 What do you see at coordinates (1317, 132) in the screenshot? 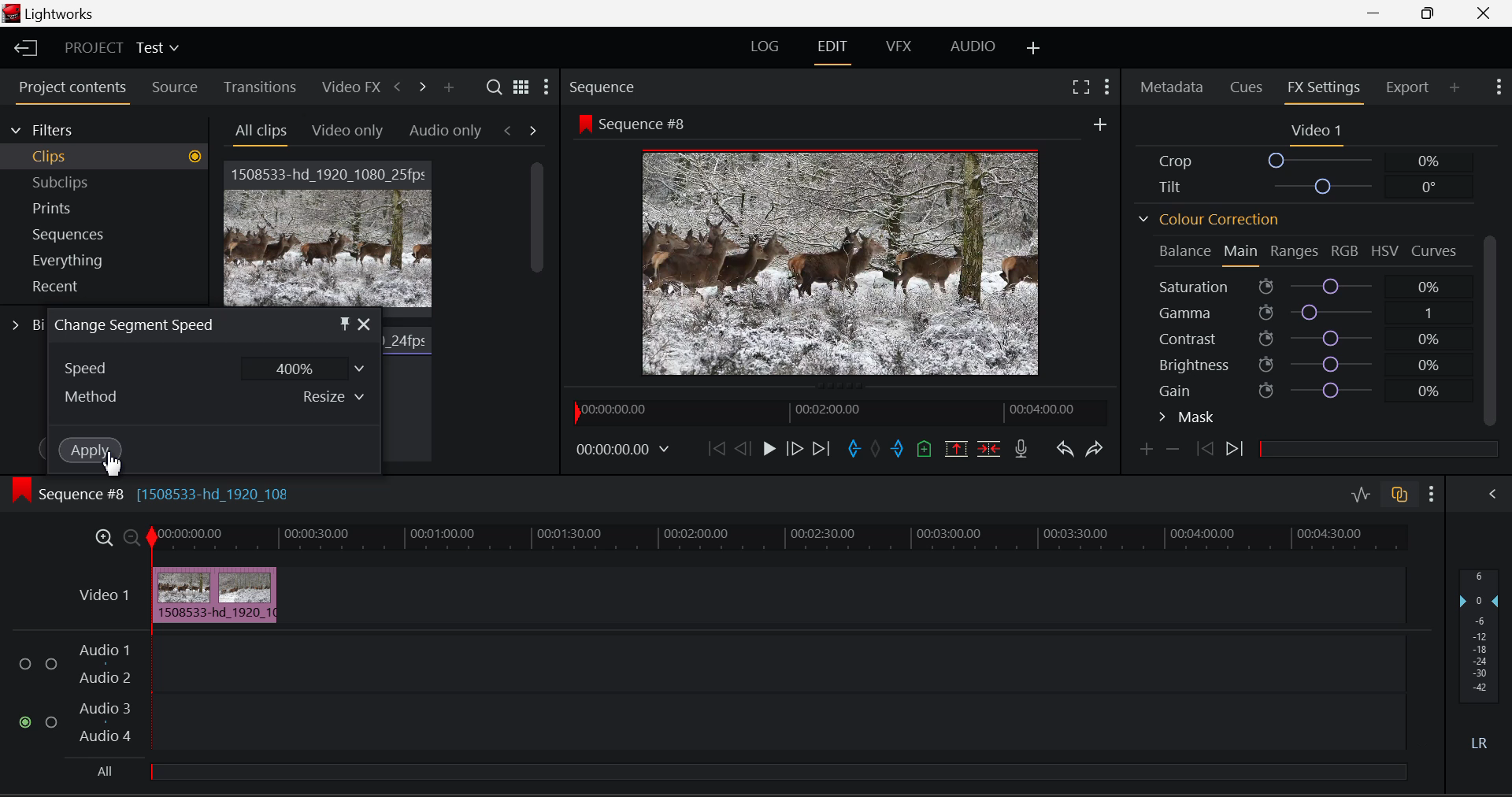
I see `Video 1 Settings` at bounding box center [1317, 132].